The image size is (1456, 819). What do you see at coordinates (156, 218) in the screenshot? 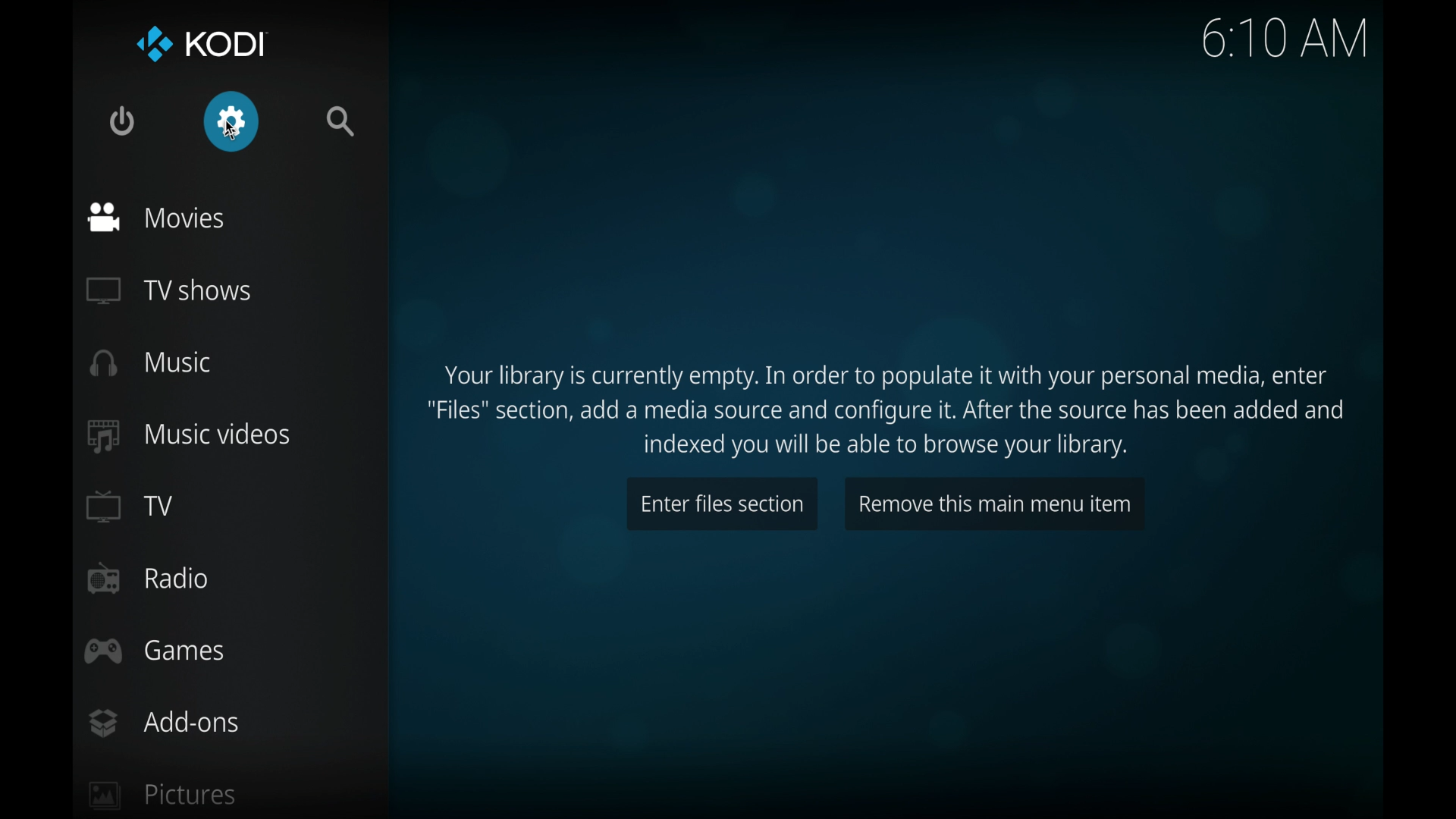
I see `movies` at bounding box center [156, 218].